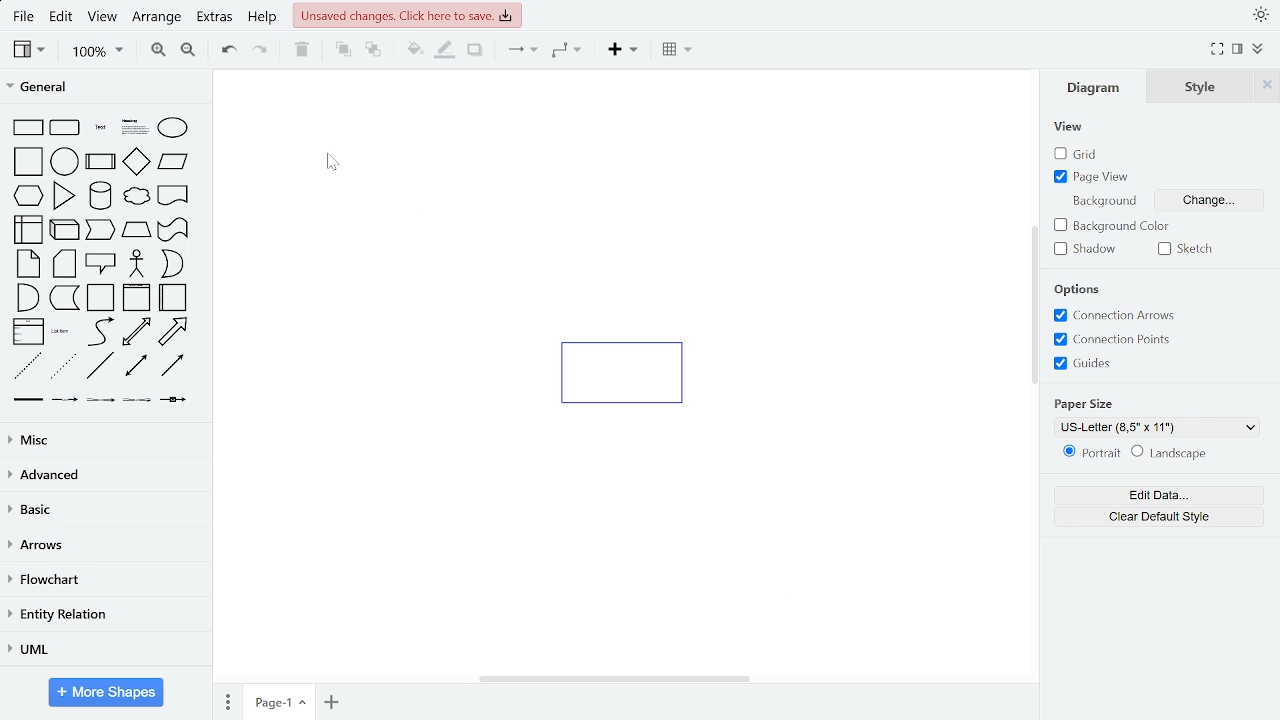 This screenshot has height=720, width=1280. What do you see at coordinates (1094, 88) in the screenshot?
I see `diagram` at bounding box center [1094, 88].